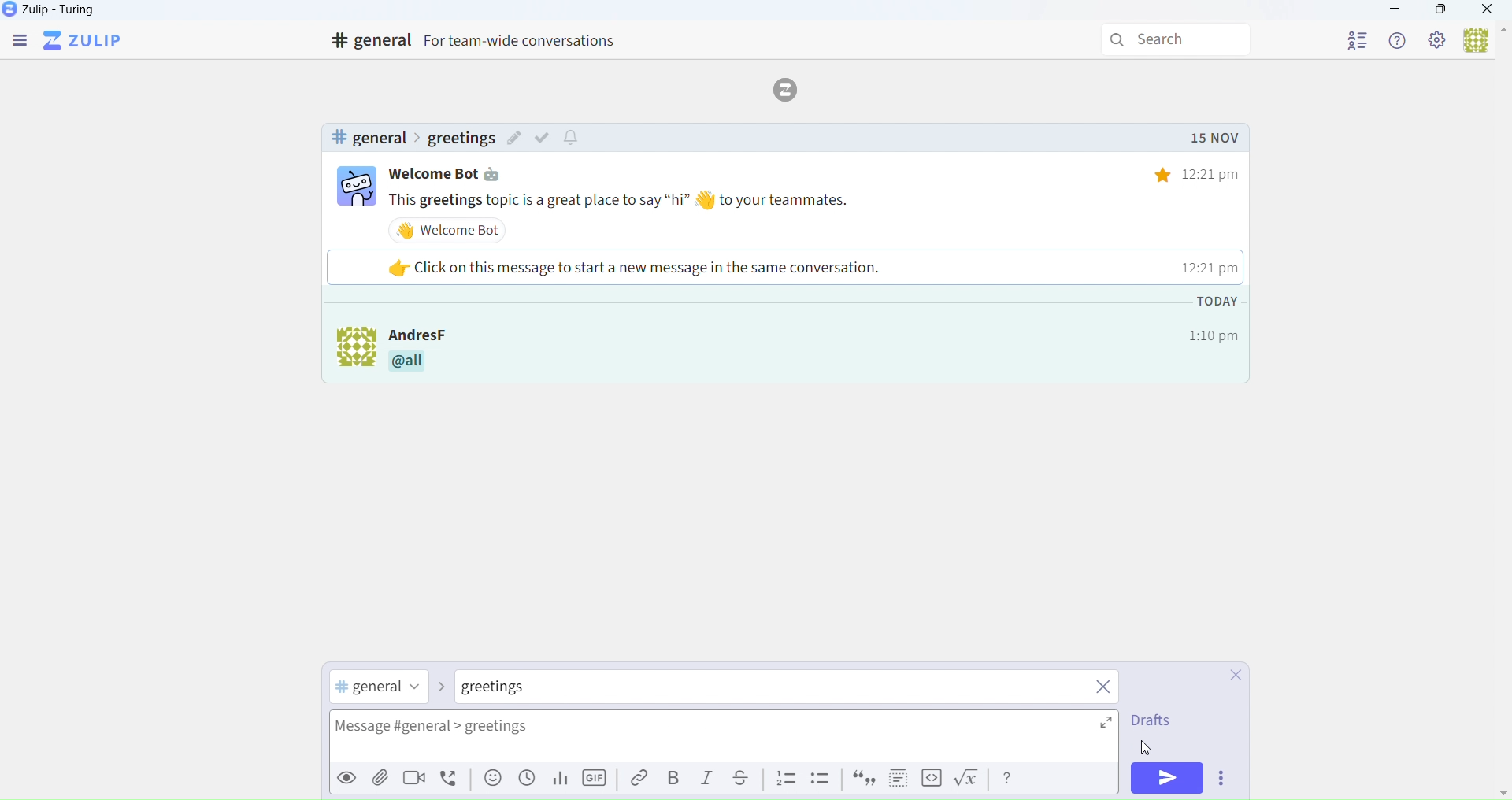 The width and height of the screenshot is (1512, 800). What do you see at coordinates (1105, 689) in the screenshot?
I see `close` at bounding box center [1105, 689].